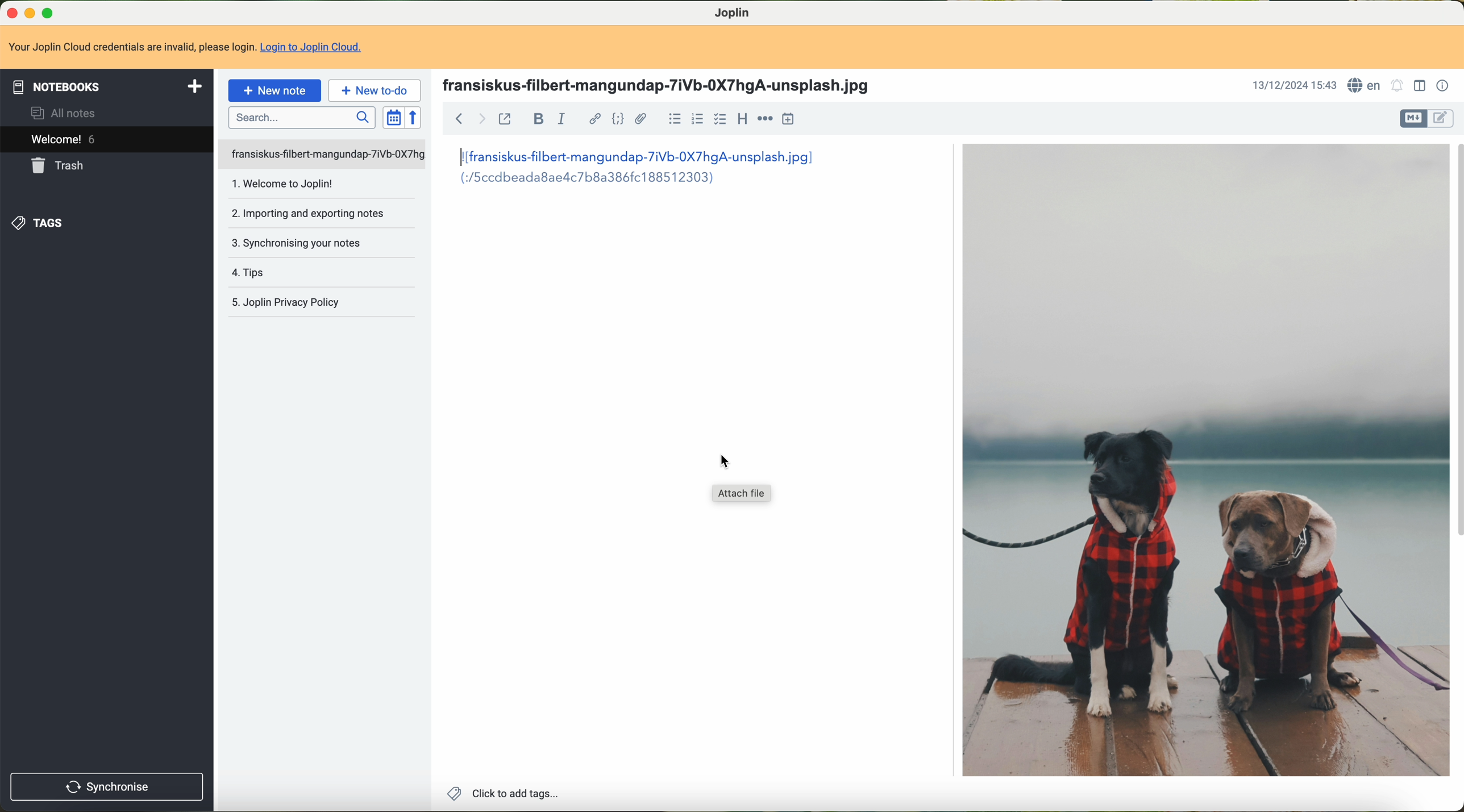 The width and height of the screenshot is (1464, 812). Describe the element at coordinates (375, 91) in the screenshot. I see `new to-do` at that location.